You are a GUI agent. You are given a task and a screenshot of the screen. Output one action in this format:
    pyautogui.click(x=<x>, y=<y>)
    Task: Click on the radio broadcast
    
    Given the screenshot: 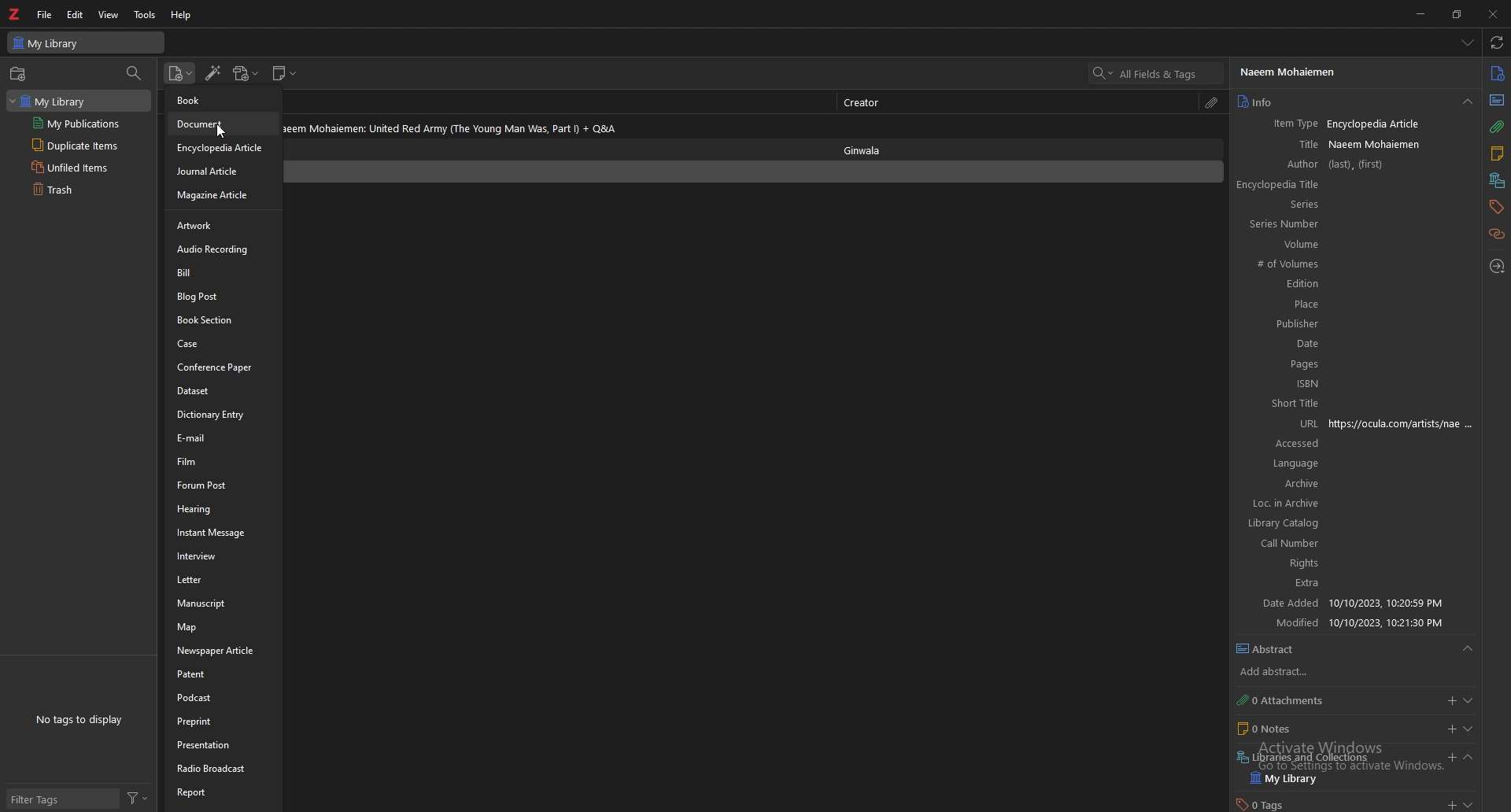 What is the action you would take?
    pyautogui.click(x=223, y=768)
    